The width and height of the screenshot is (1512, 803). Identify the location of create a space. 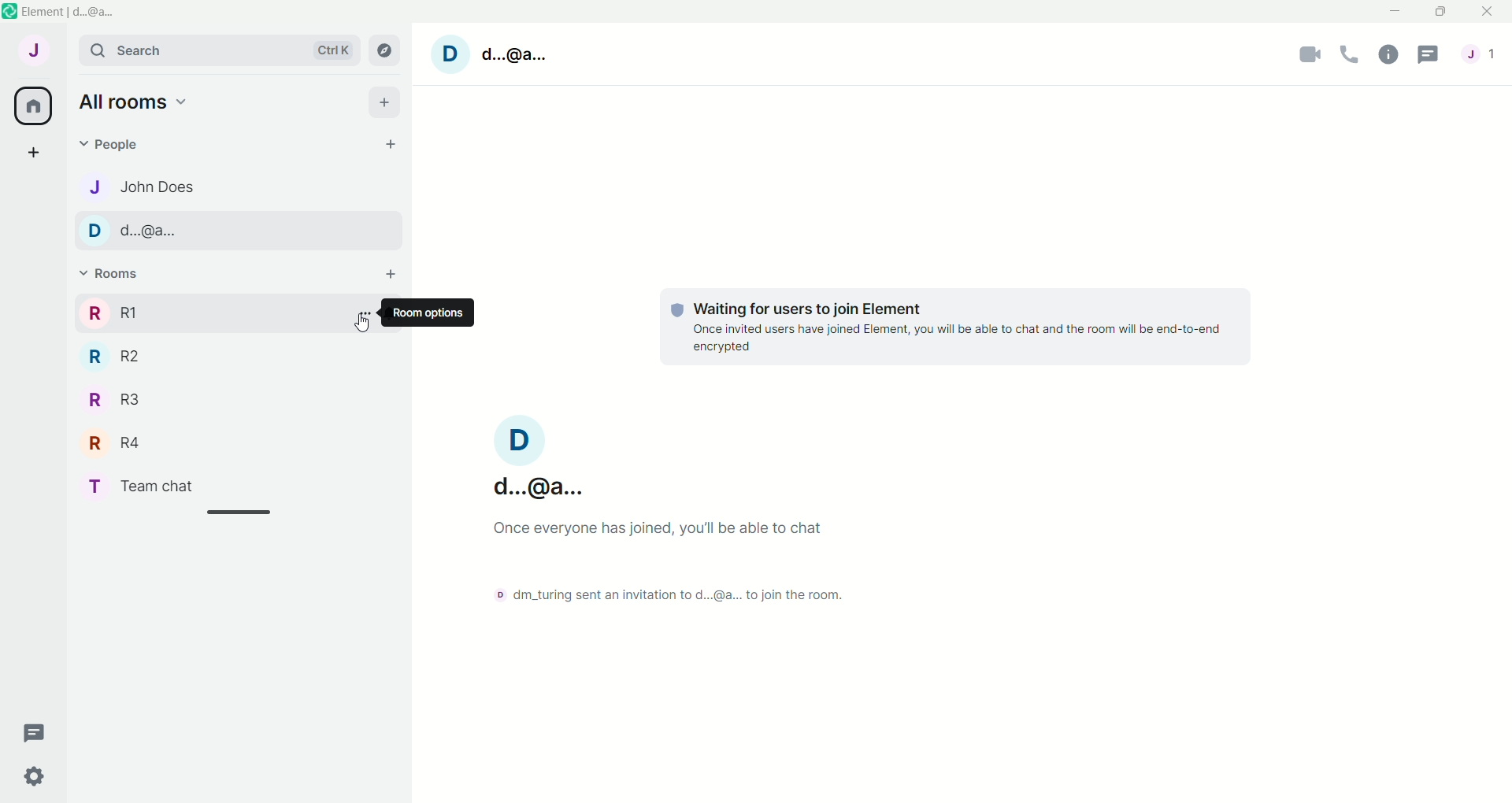
(34, 154).